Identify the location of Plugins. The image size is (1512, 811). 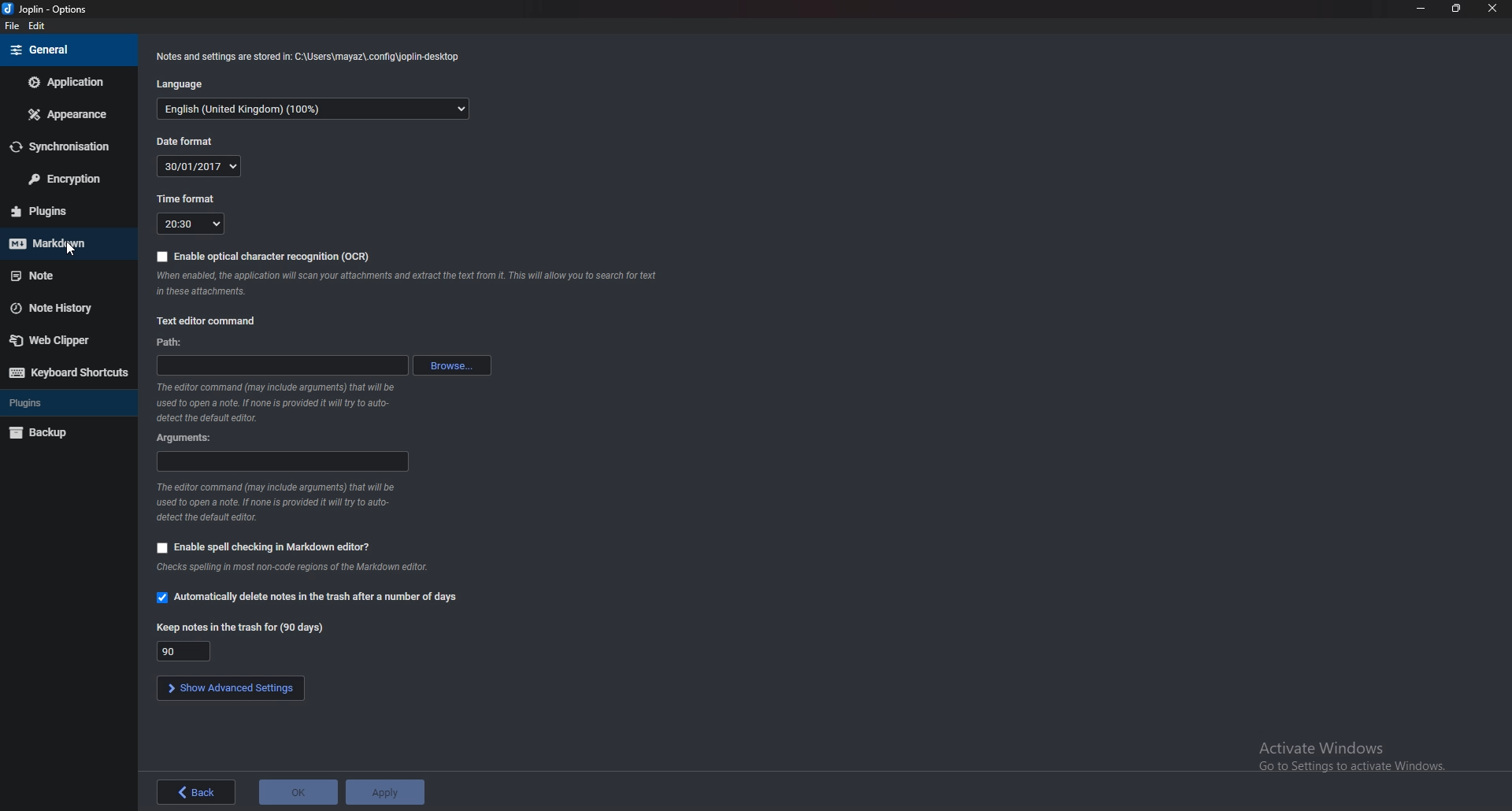
(63, 402).